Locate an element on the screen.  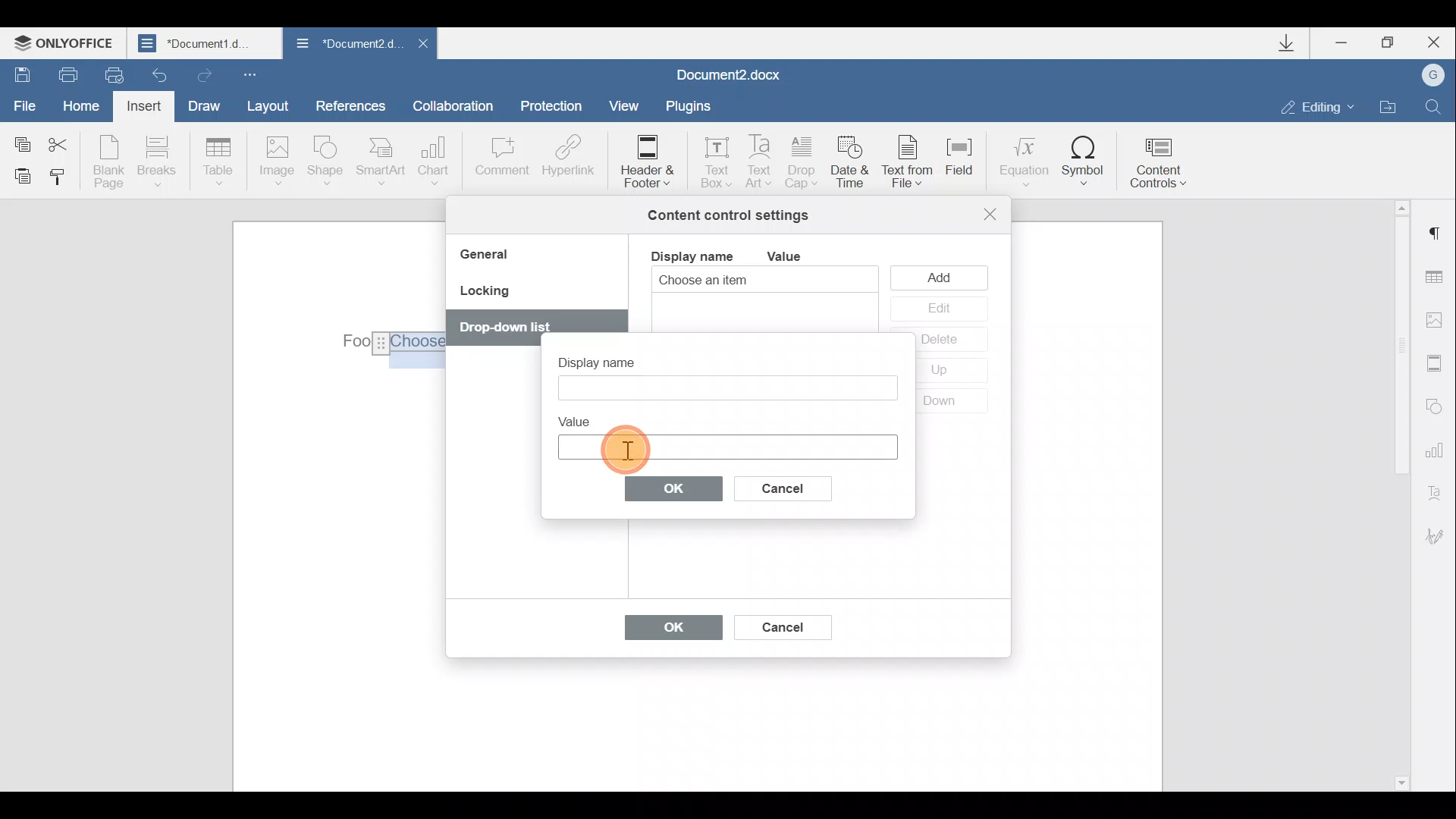
Breaks is located at coordinates (155, 165).